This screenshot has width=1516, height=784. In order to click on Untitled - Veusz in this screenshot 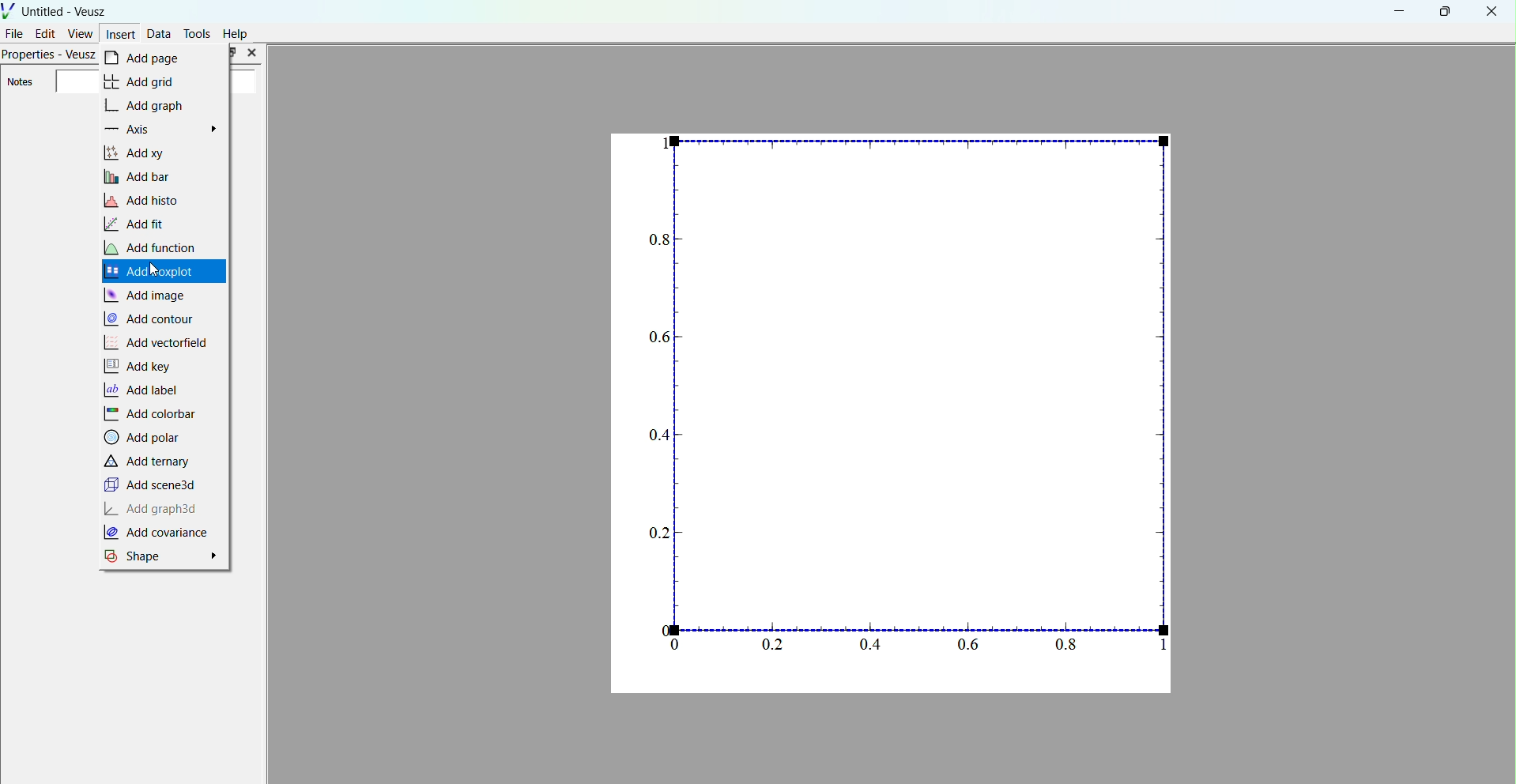, I will do `click(57, 9)`.